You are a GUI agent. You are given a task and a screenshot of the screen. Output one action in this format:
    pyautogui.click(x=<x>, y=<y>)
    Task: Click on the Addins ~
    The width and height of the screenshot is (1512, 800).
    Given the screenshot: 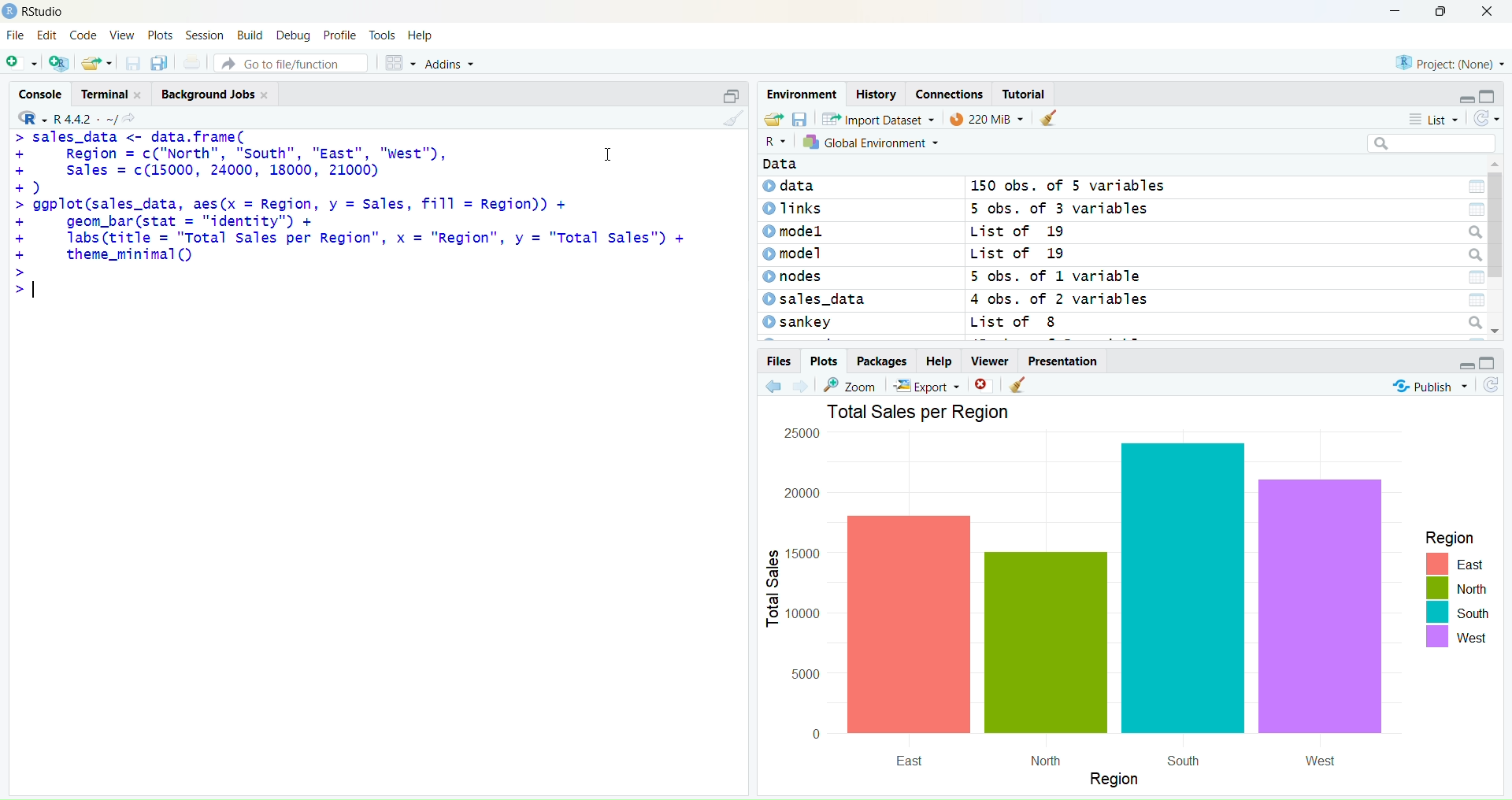 What is the action you would take?
    pyautogui.click(x=450, y=64)
    